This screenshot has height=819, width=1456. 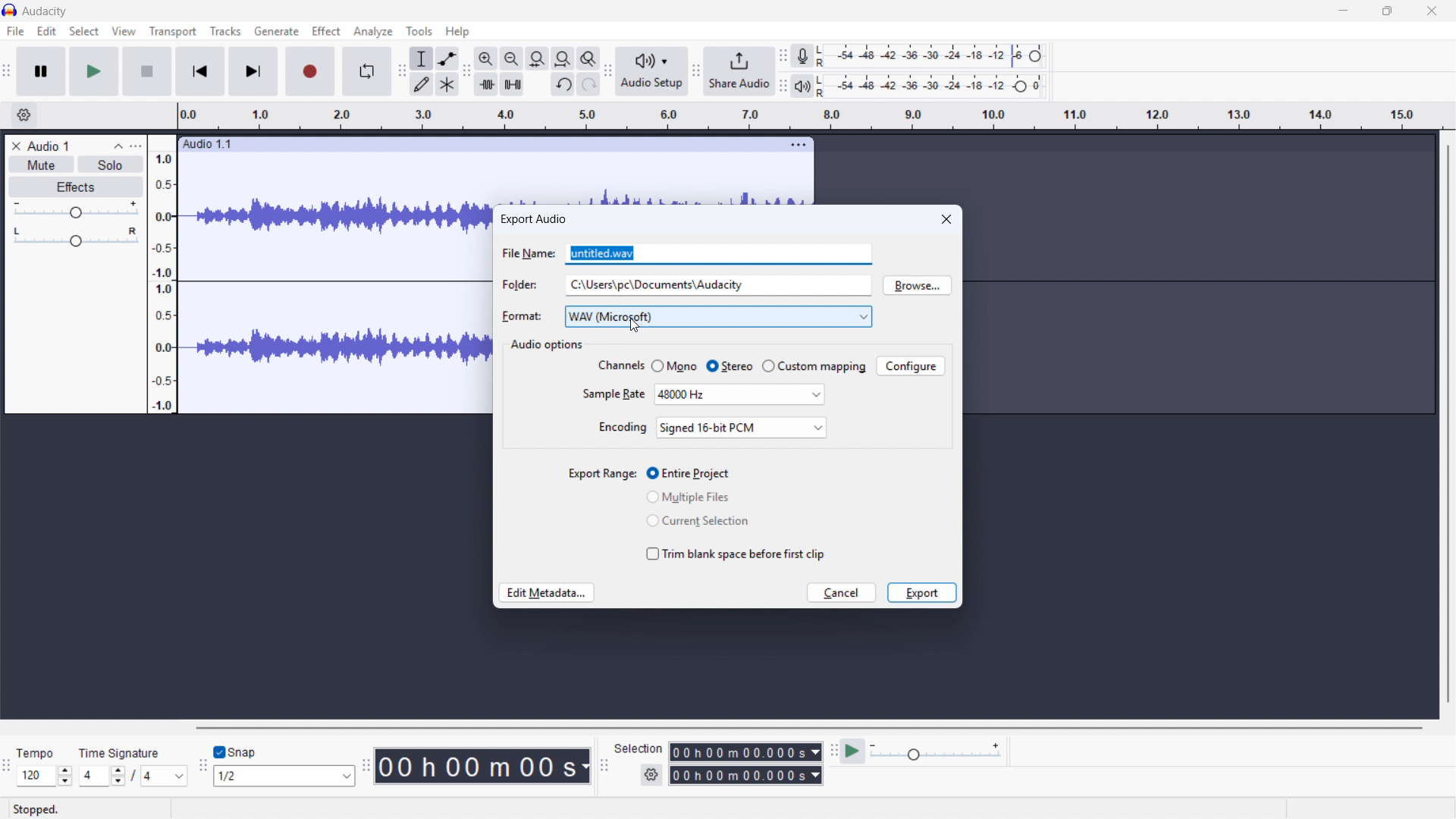 I want to click on Fit selection to width, so click(x=538, y=58).